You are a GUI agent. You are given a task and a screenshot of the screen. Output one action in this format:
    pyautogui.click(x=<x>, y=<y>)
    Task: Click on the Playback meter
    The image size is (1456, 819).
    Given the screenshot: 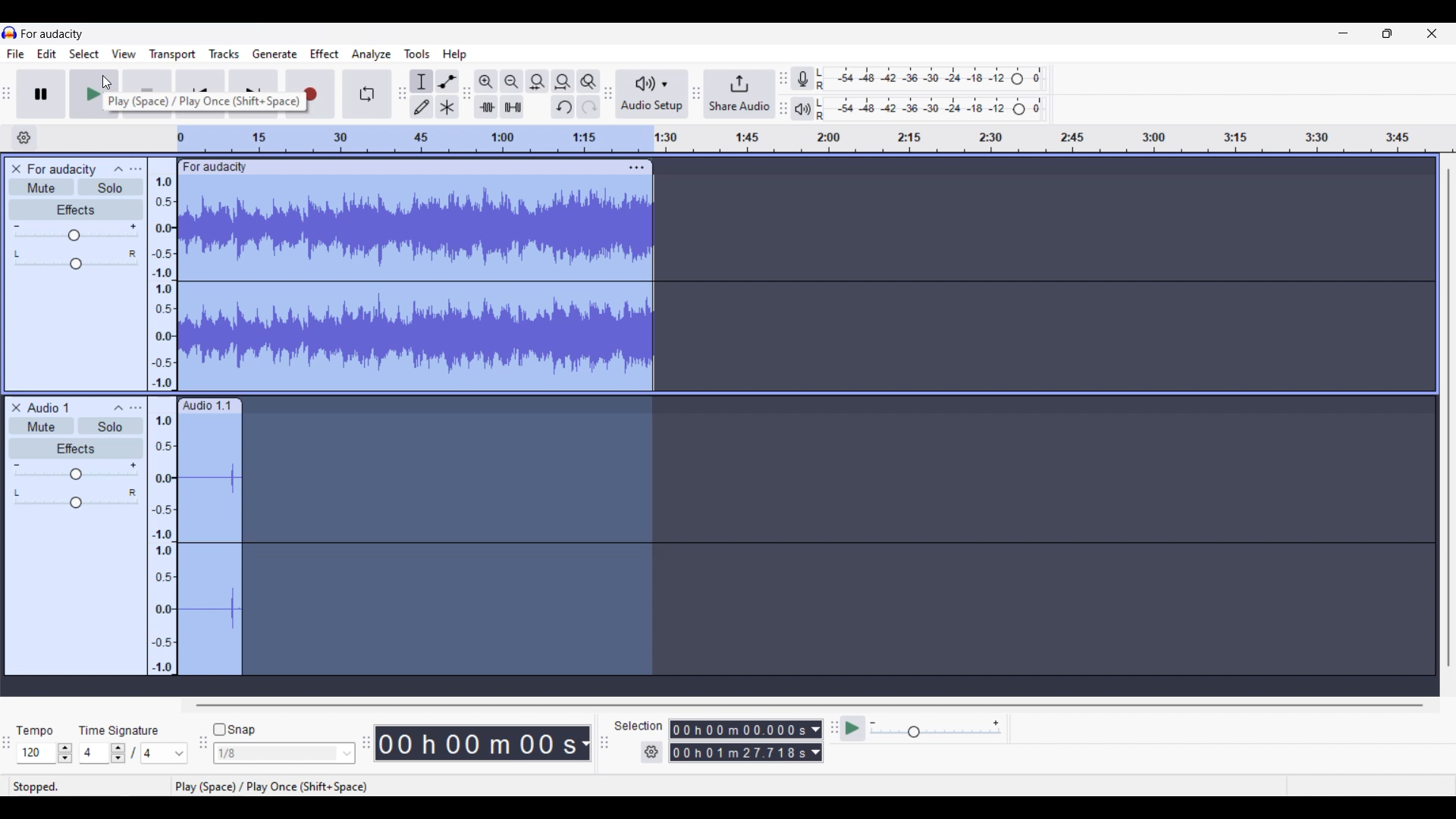 What is the action you would take?
    pyautogui.click(x=802, y=109)
    